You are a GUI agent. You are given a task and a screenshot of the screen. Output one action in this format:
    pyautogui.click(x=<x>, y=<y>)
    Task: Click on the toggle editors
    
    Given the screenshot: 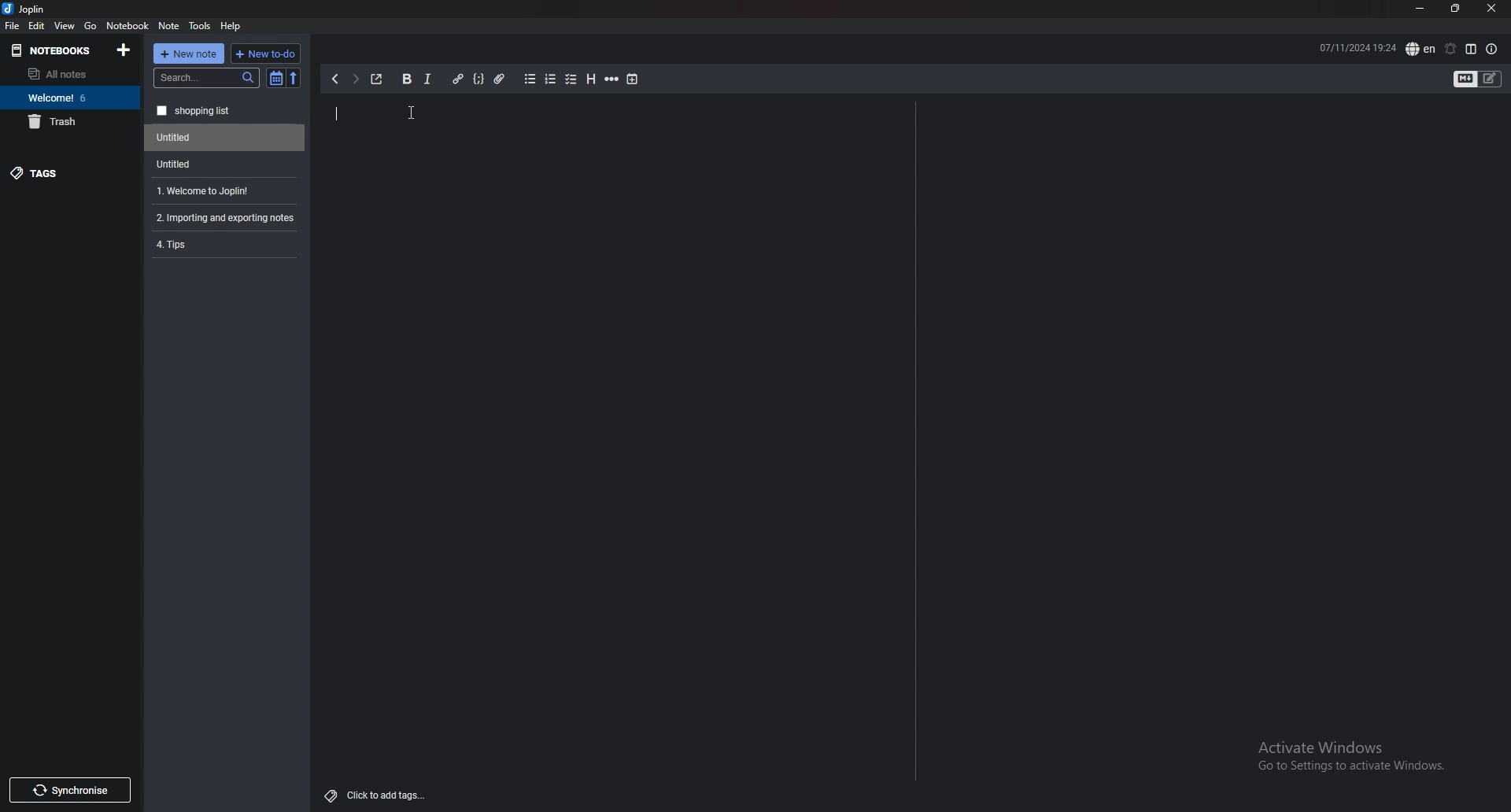 What is the action you would take?
    pyautogui.click(x=1478, y=80)
    